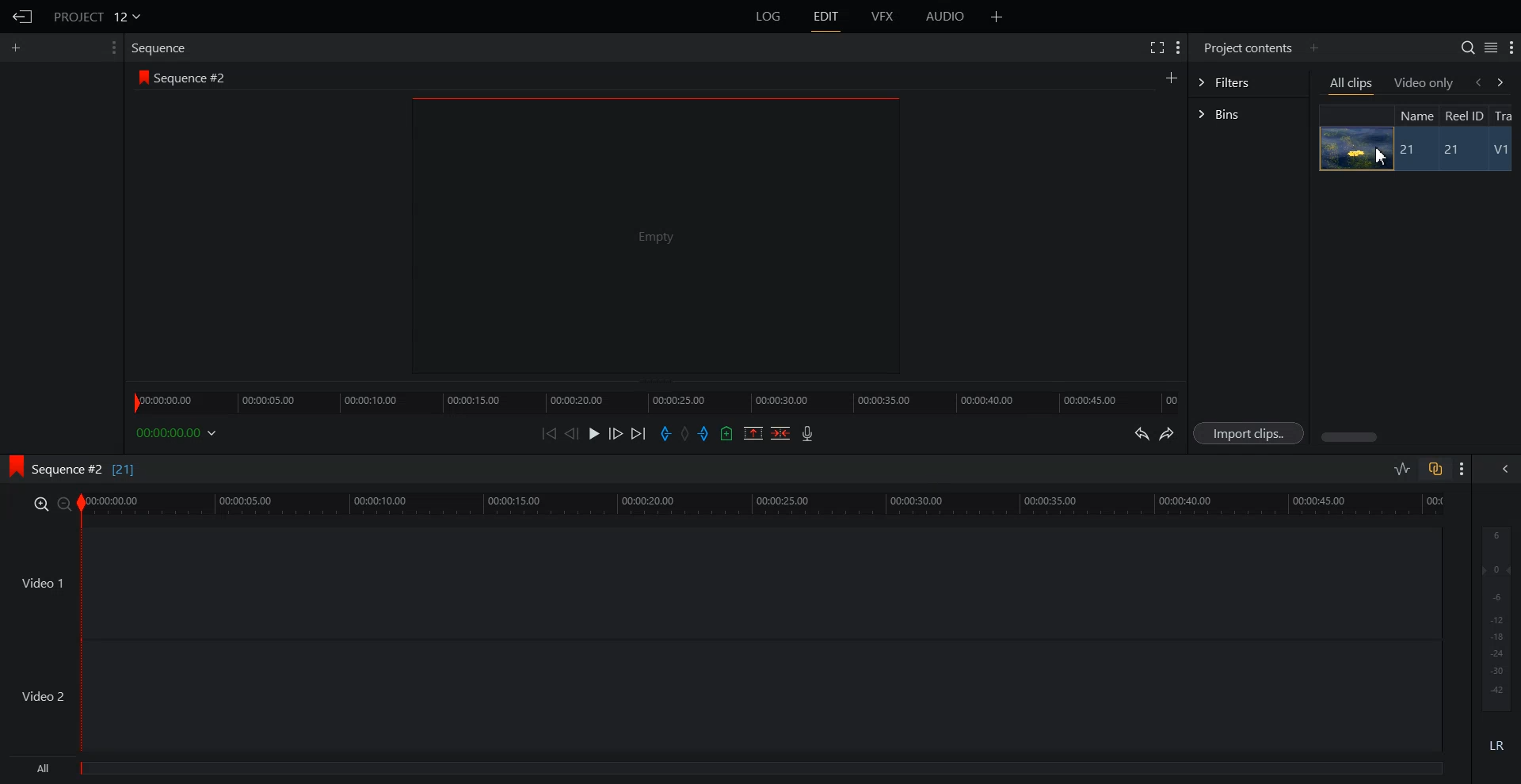 The image size is (1521, 784). Describe the element at coordinates (194, 78) in the screenshot. I see `Sequence #2` at that location.